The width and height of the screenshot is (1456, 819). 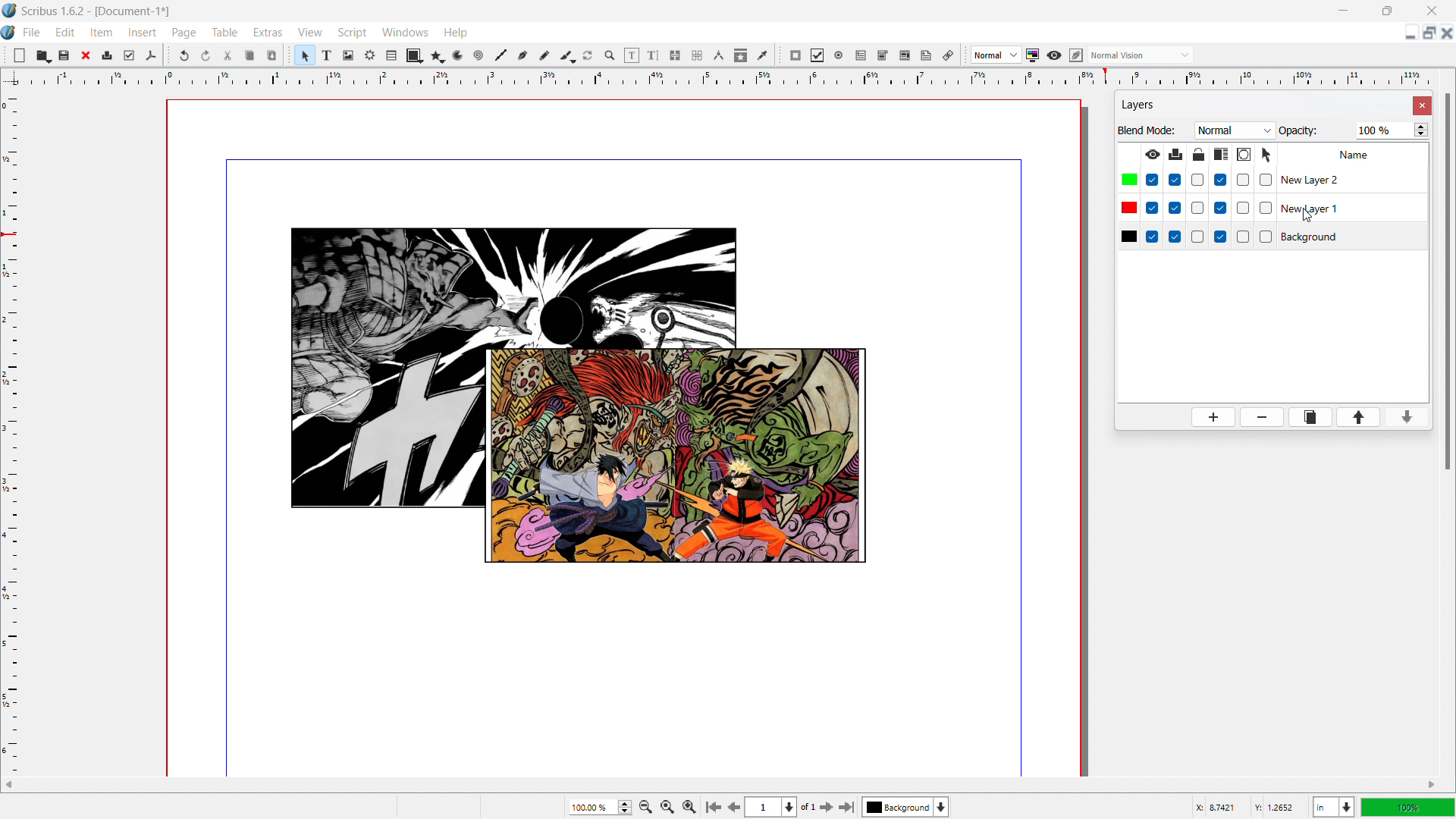 What do you see at coordinates (107, 55) in the screenshot?
I see `print` at bounding box center [107, 55].